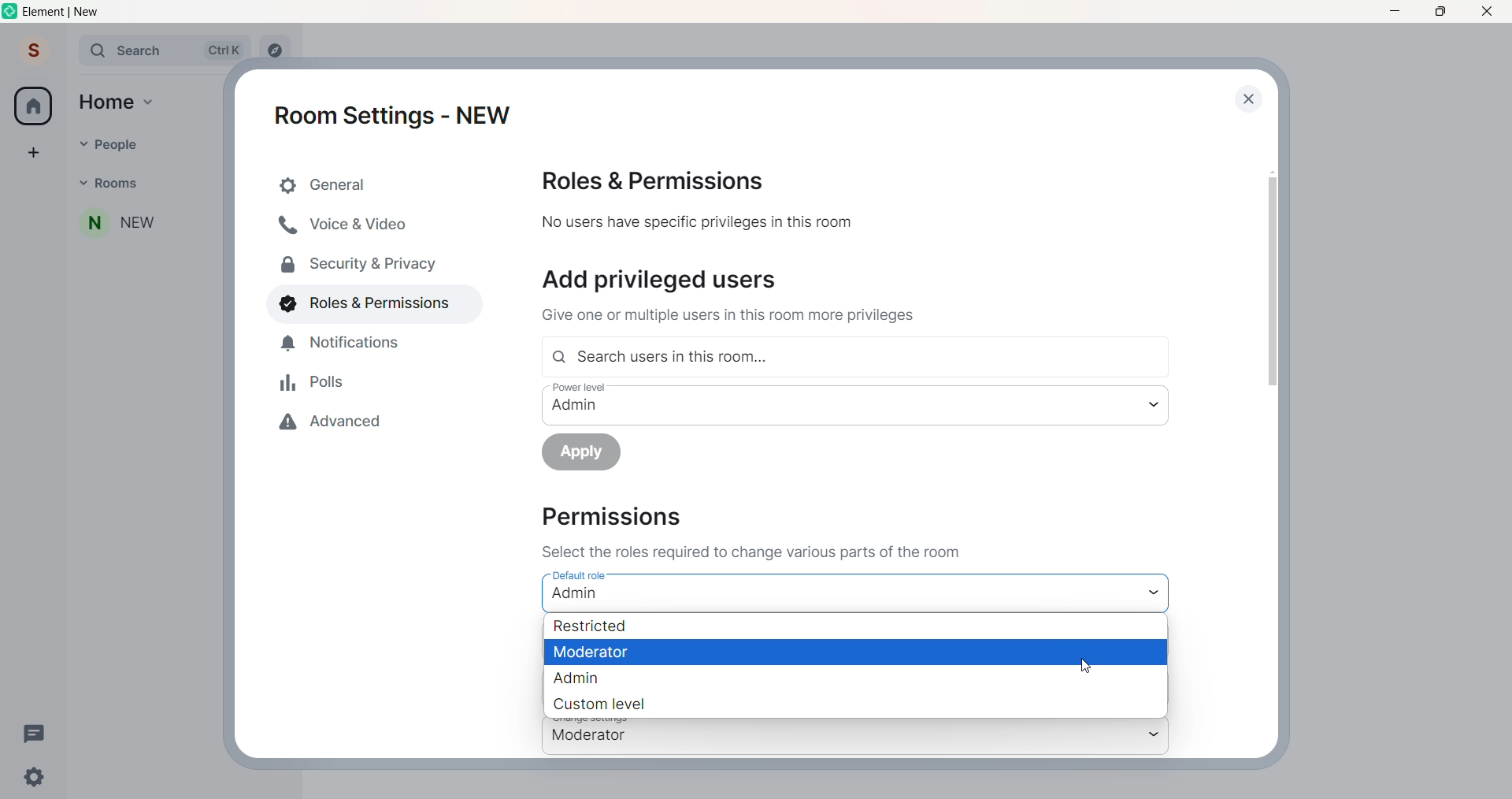  Describe the element at coordinates (351, 262) in the screenshot. I see `security and privacy` at that location.